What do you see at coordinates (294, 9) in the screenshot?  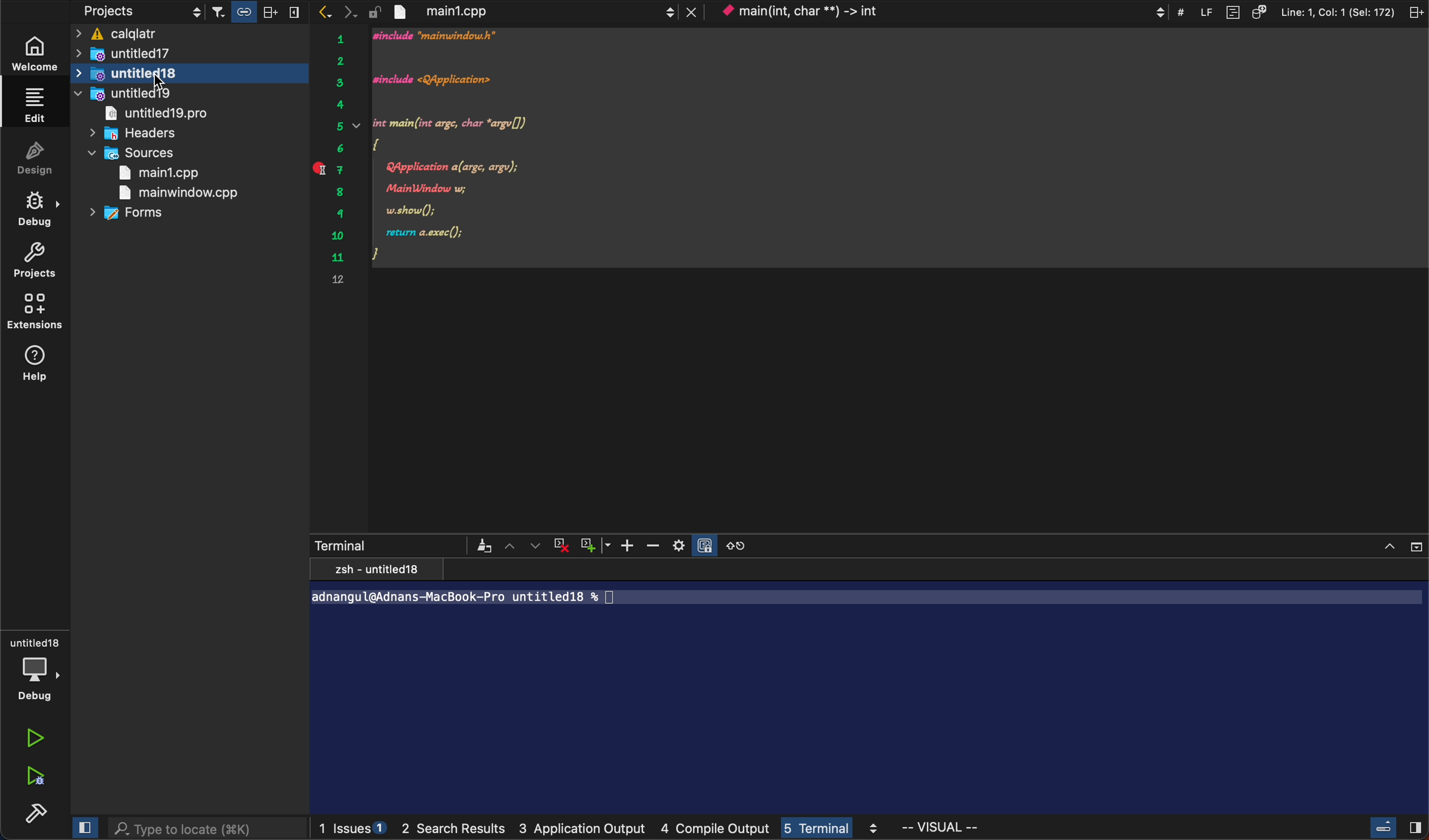 I see `split vertically` at bounding box center [294, 9].